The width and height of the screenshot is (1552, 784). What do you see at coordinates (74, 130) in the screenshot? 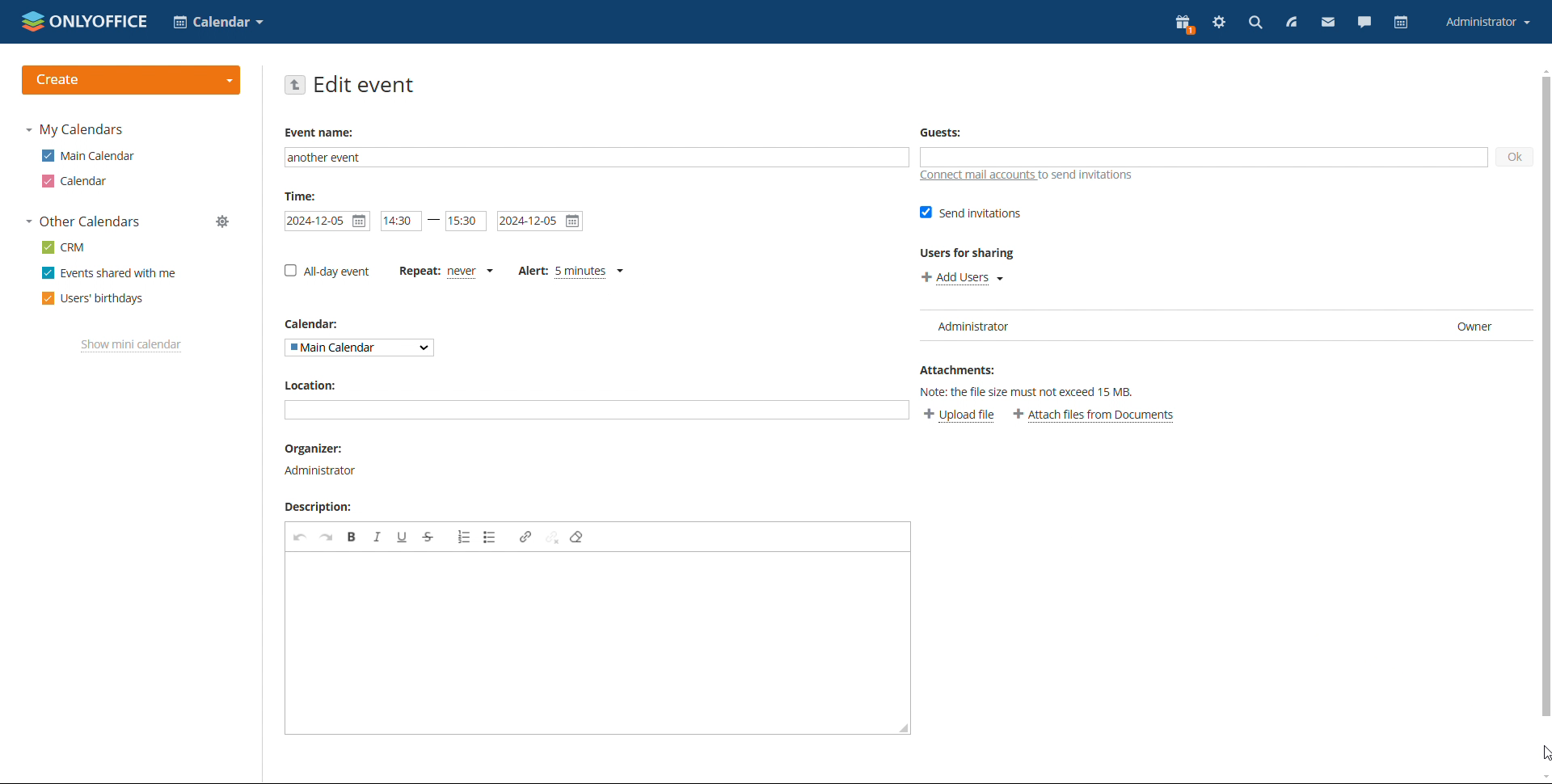
I see `my calendars` at bounding box center [74, 130].